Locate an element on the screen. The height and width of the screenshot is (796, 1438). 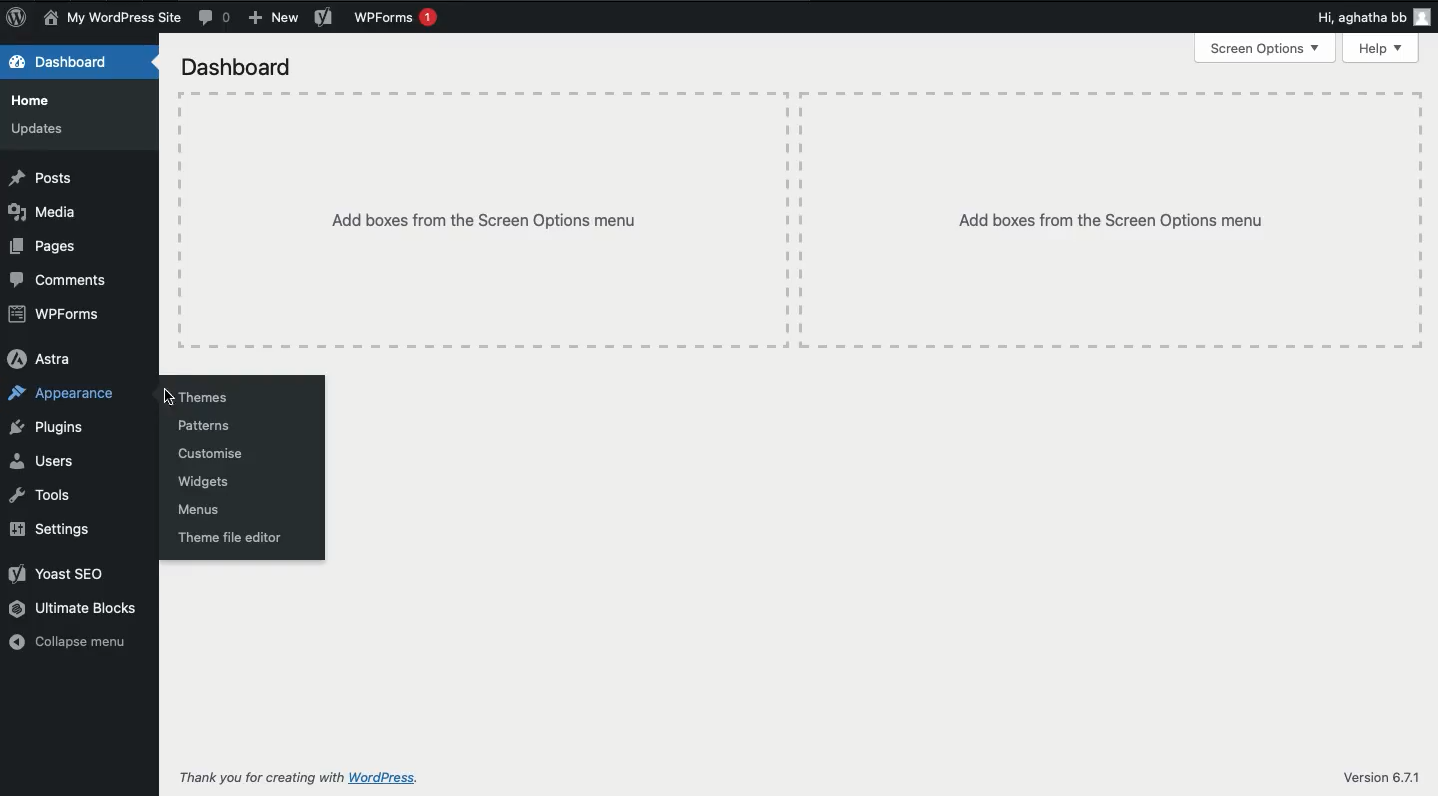
Comments is located at coordinates (62, 279).